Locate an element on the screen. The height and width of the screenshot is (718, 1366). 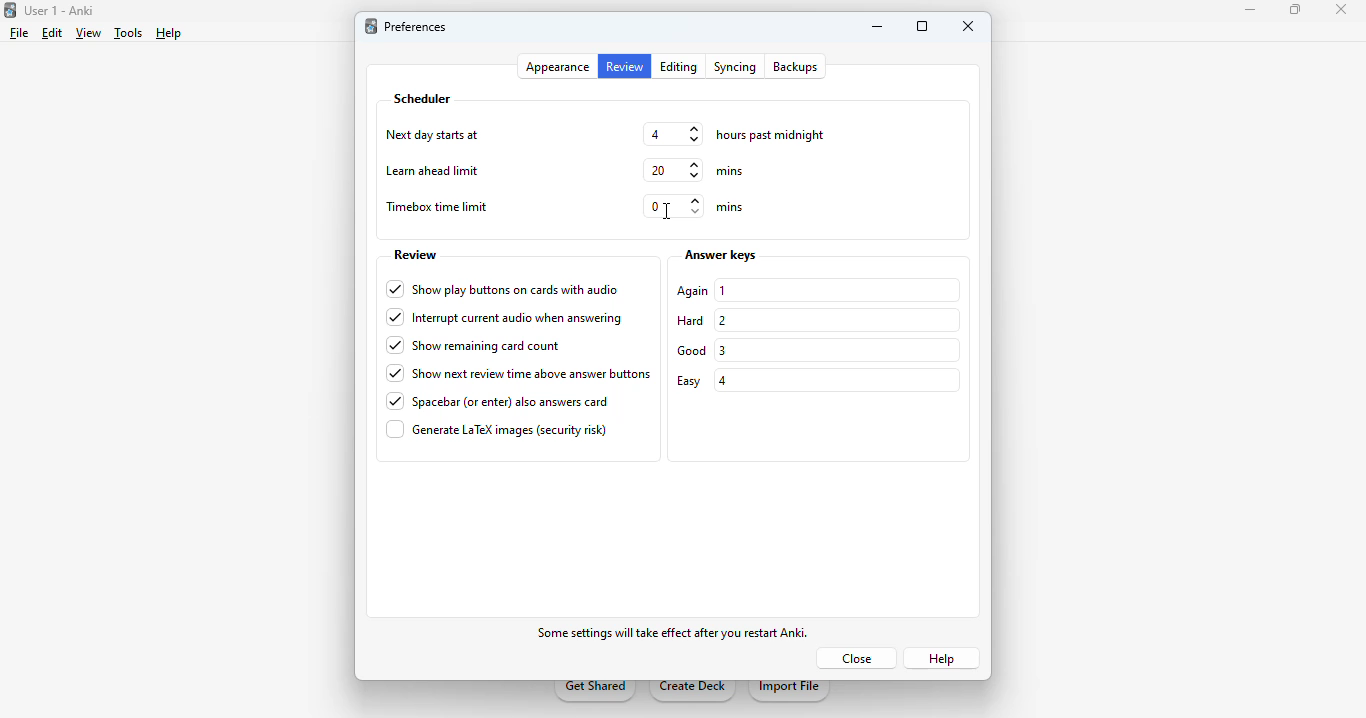
show next review time above answer buttons is located at coordinates (519, 373).